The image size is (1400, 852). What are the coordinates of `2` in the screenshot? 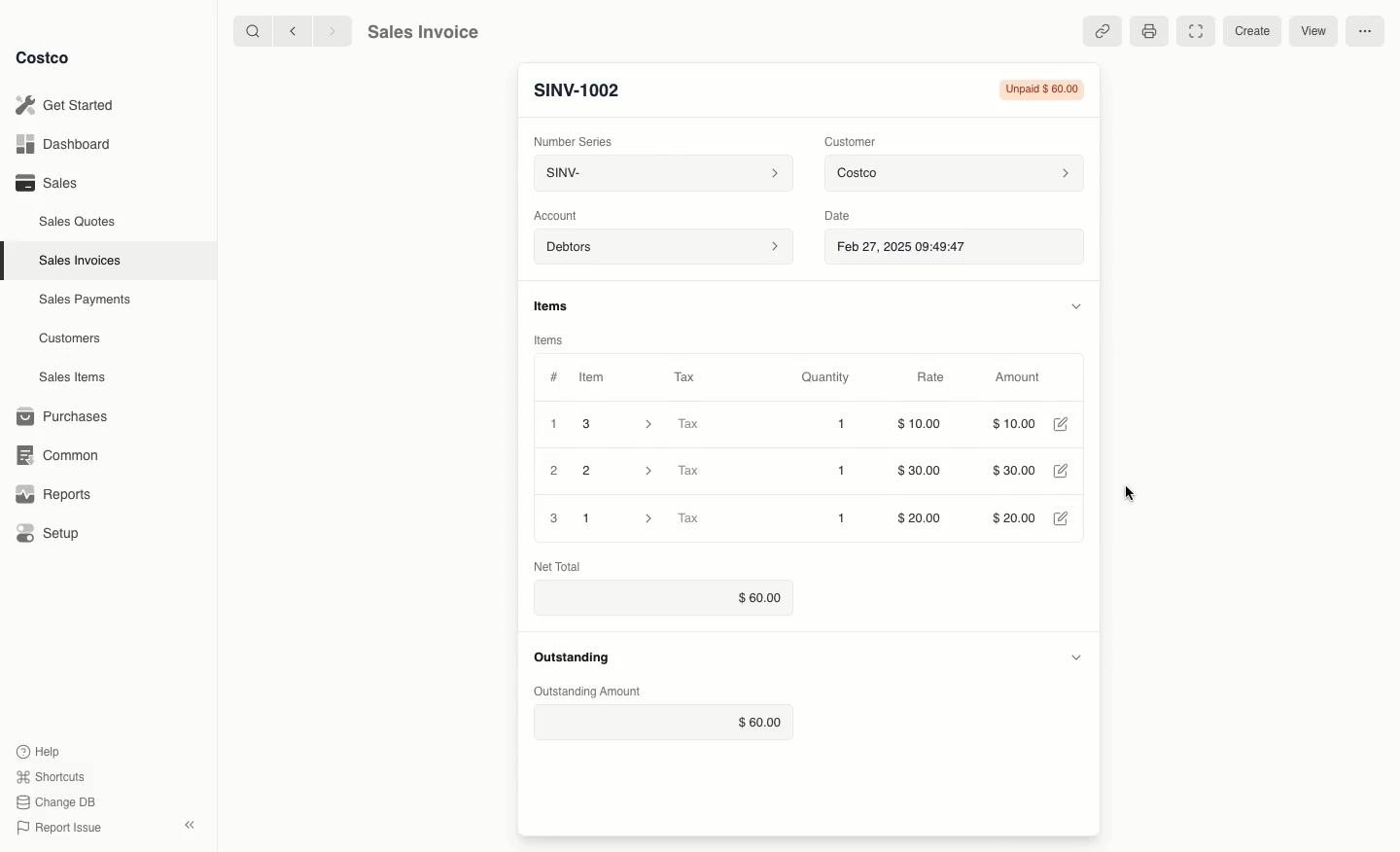 It's located at (619, 471).